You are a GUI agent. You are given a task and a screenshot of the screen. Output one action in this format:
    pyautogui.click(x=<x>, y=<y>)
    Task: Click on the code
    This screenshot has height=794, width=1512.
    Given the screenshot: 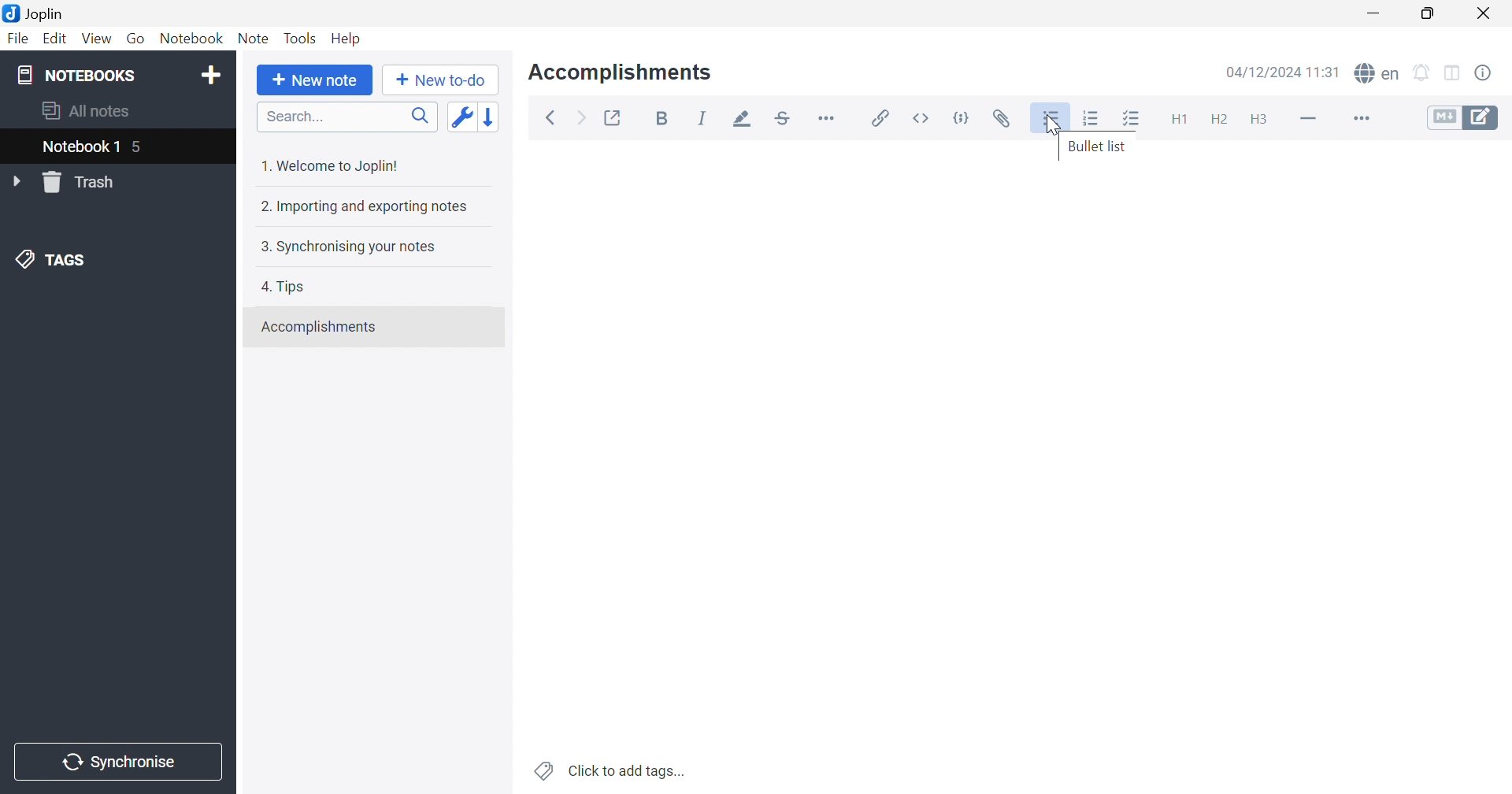 What is the action you would take?
    pyautogui.click(x=962, y=116)
    